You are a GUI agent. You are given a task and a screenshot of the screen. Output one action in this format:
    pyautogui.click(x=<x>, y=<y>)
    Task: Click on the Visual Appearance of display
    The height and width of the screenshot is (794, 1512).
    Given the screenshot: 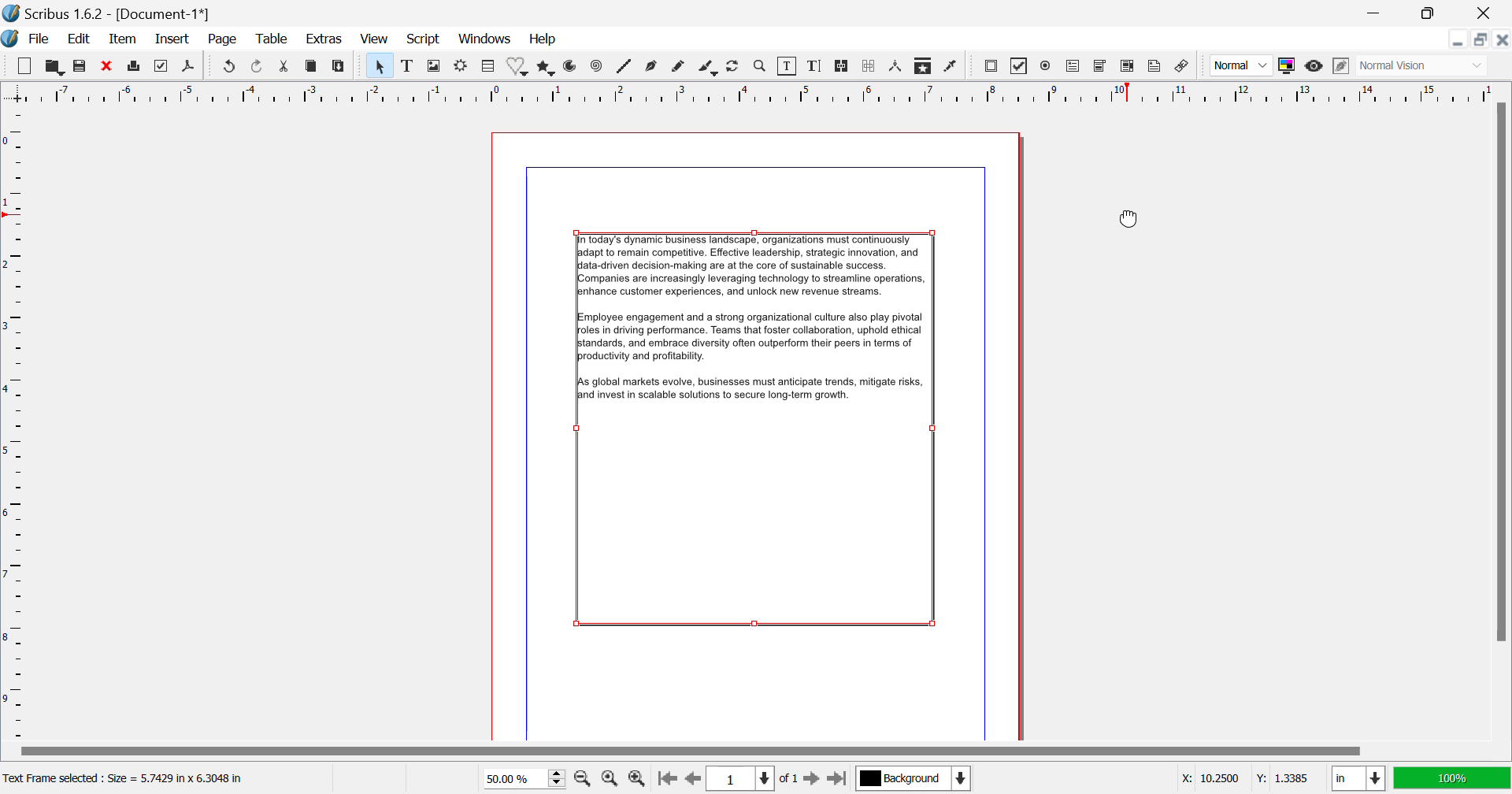 What is the action you would take?
    pyautogui.click(x=1421, y=65)
    